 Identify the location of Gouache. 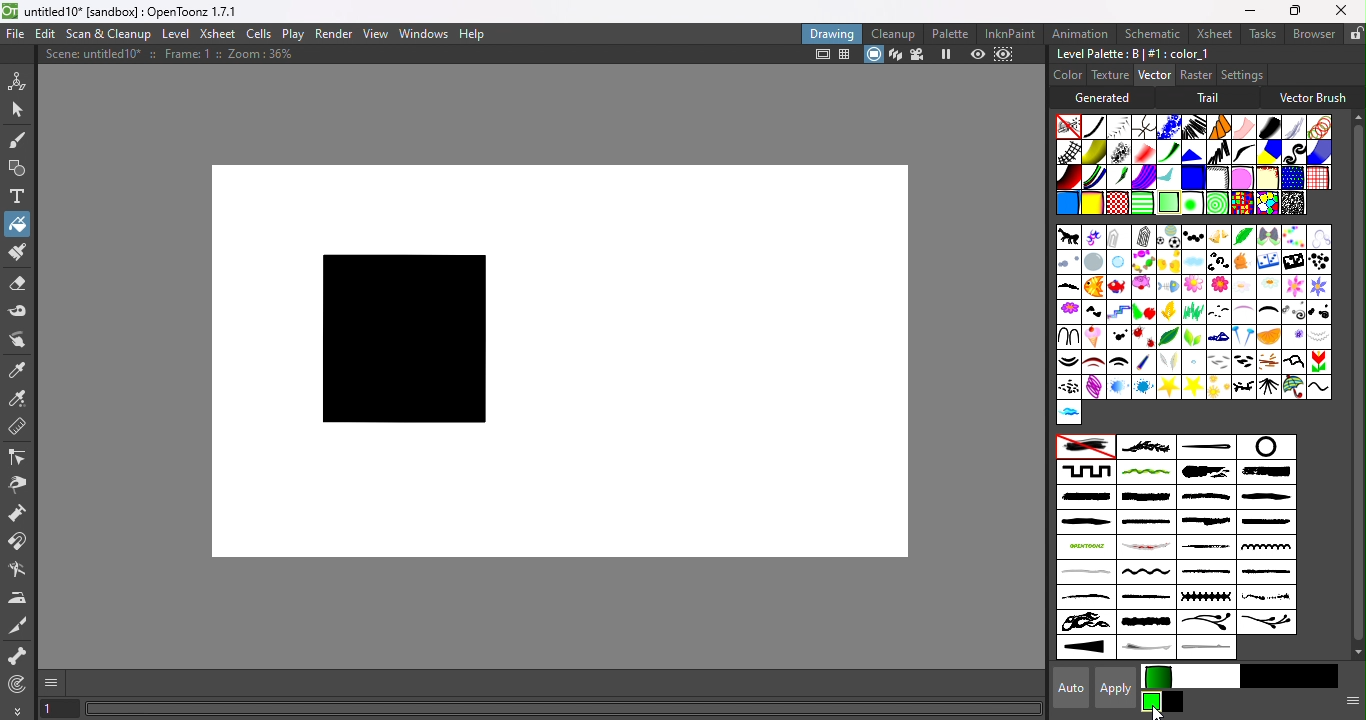
(1120, 178).